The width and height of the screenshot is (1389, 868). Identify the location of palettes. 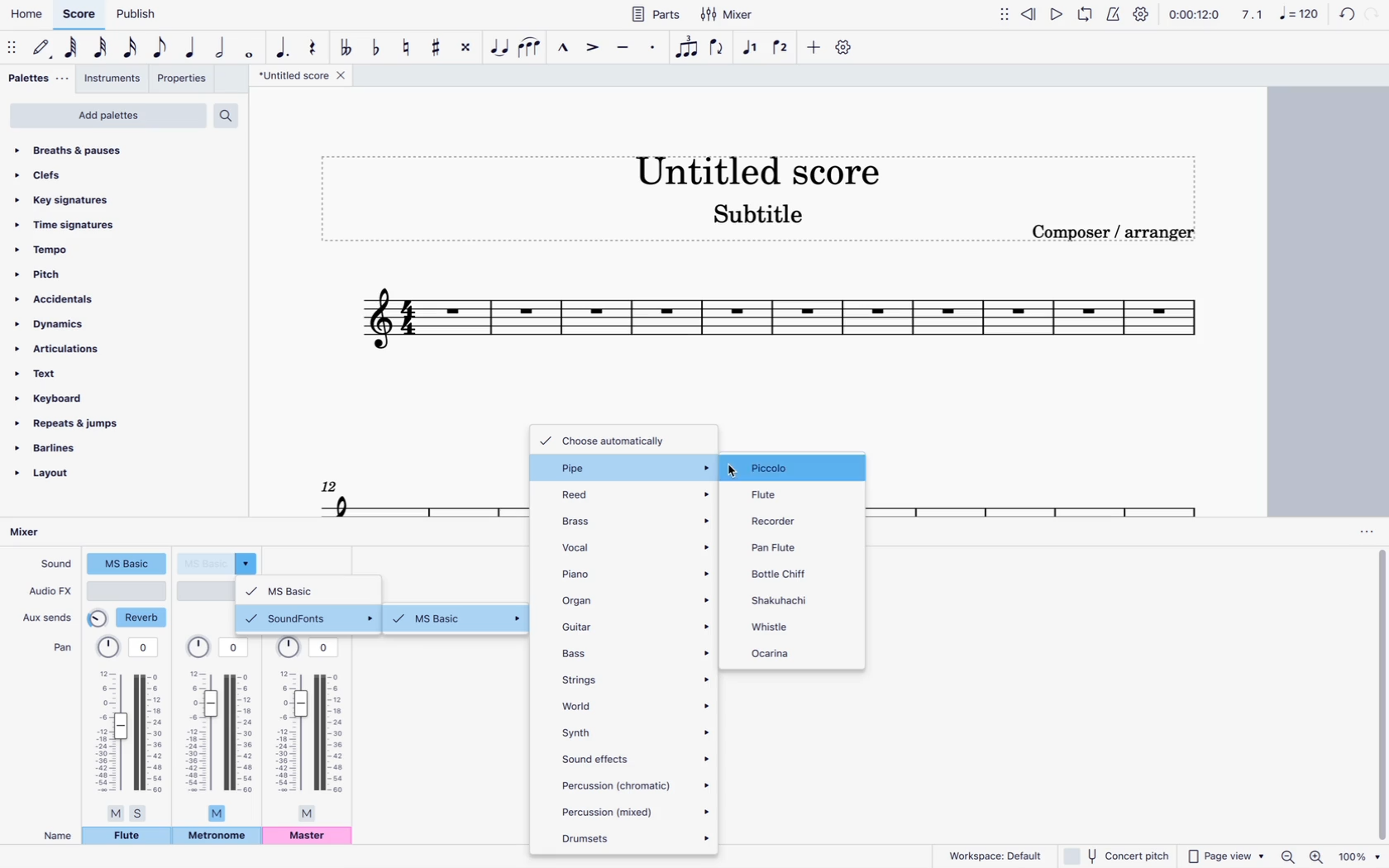
(36, 79).